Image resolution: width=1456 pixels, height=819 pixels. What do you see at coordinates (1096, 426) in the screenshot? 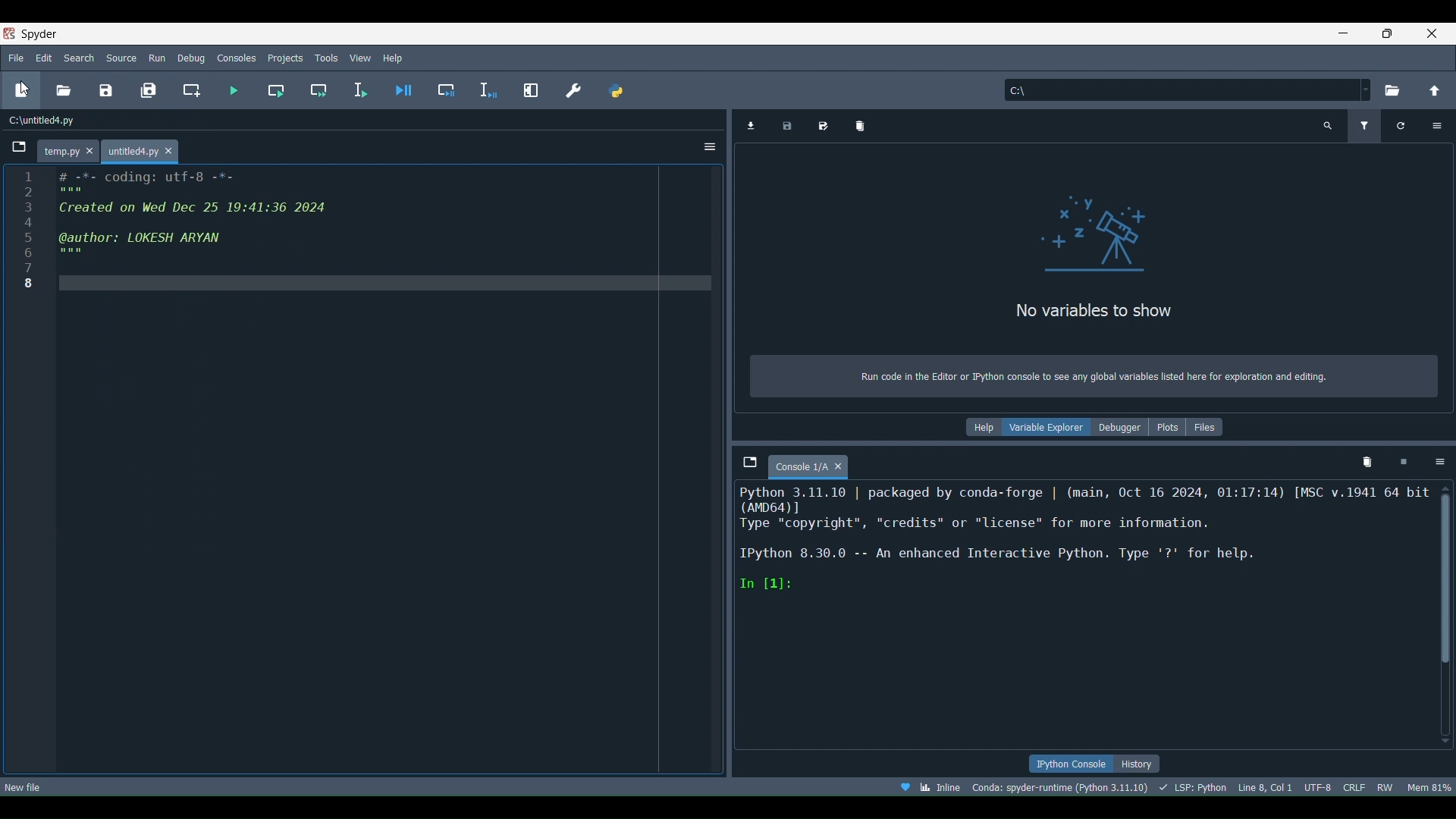
I see `` at bounding box center [1096, 426].